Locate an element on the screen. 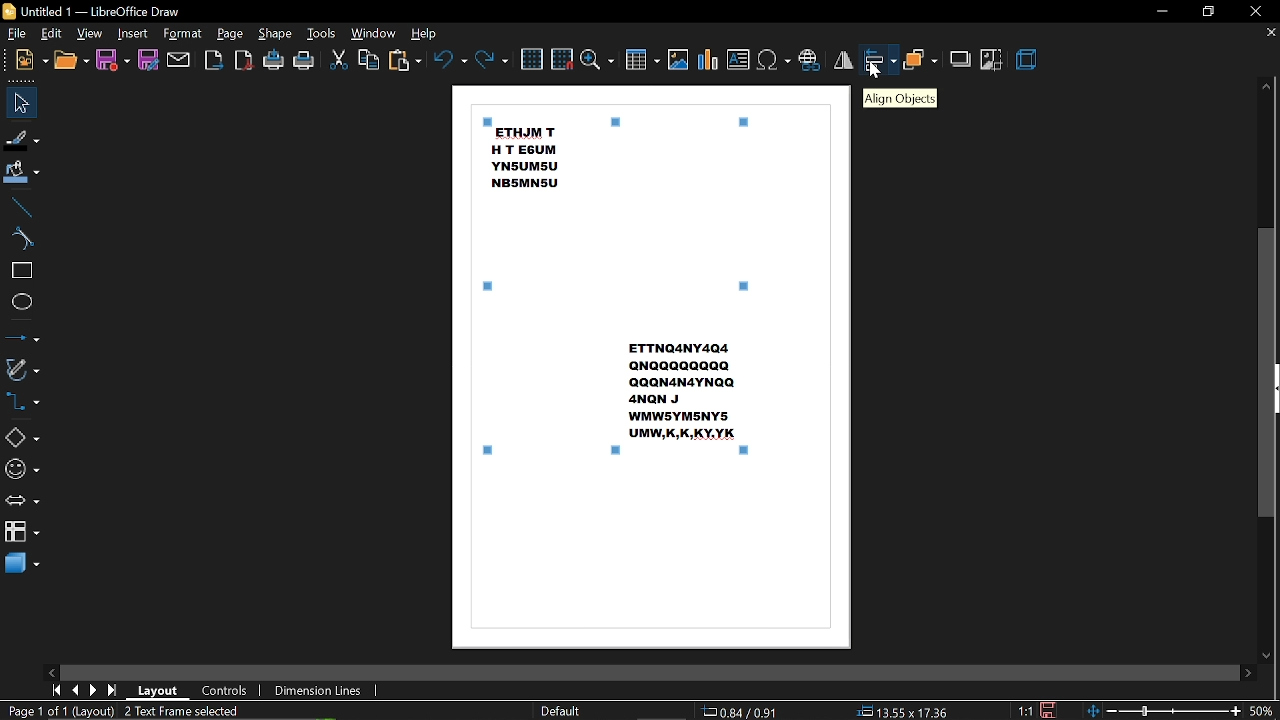 The width and height of the screenshot is (1280, 720). 50% is located at coordinates (1262, 712).